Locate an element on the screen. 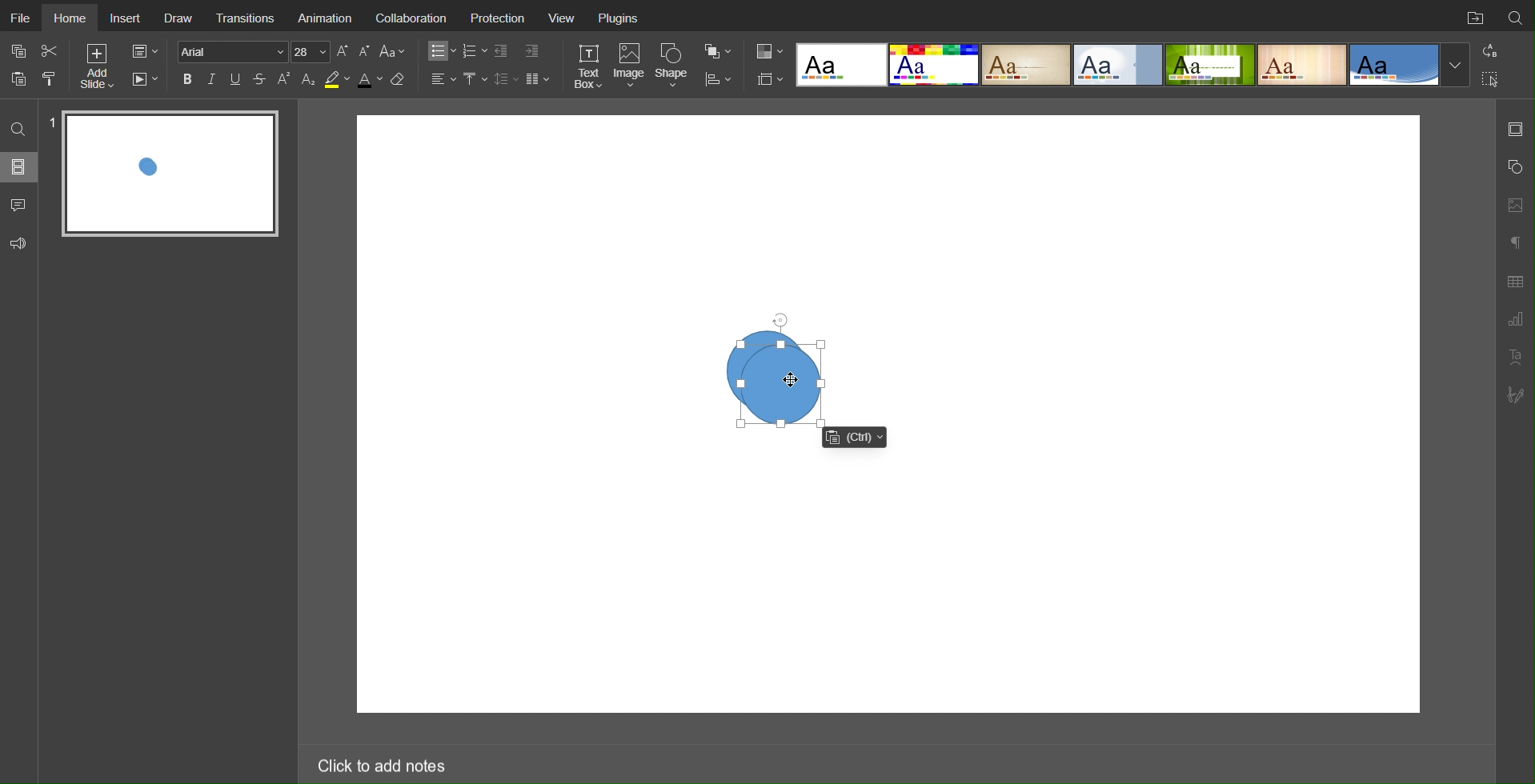 The width and height of the screenshot is (1535, 784). Insert is located at coordinates (128, 18).